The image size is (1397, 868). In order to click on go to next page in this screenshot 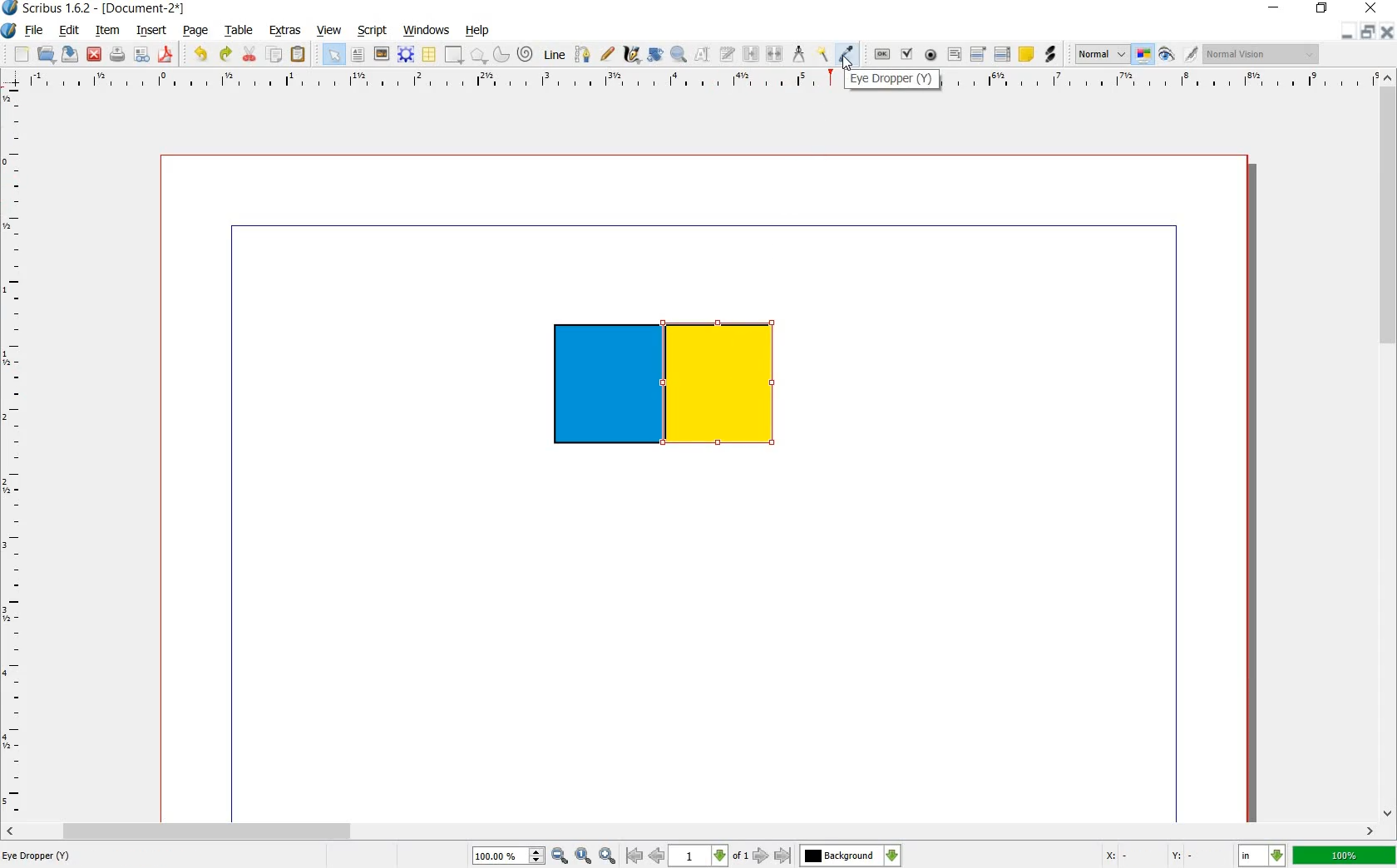, I will do `click(761, 856)`.